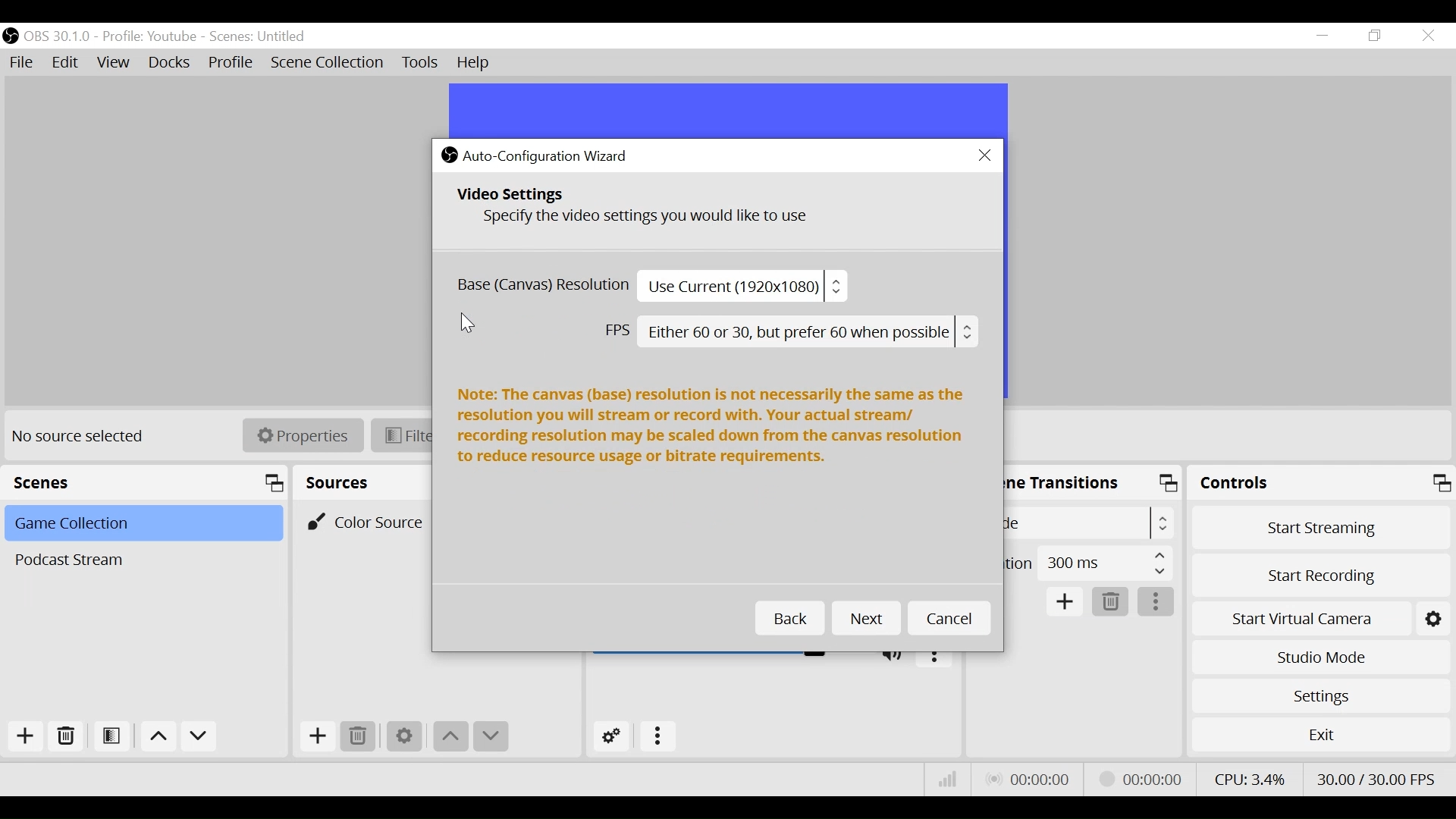  What do you see at coordinates (83, 438) in the screenshot?
I see `No source Selected` at bounding box center [83, 438].